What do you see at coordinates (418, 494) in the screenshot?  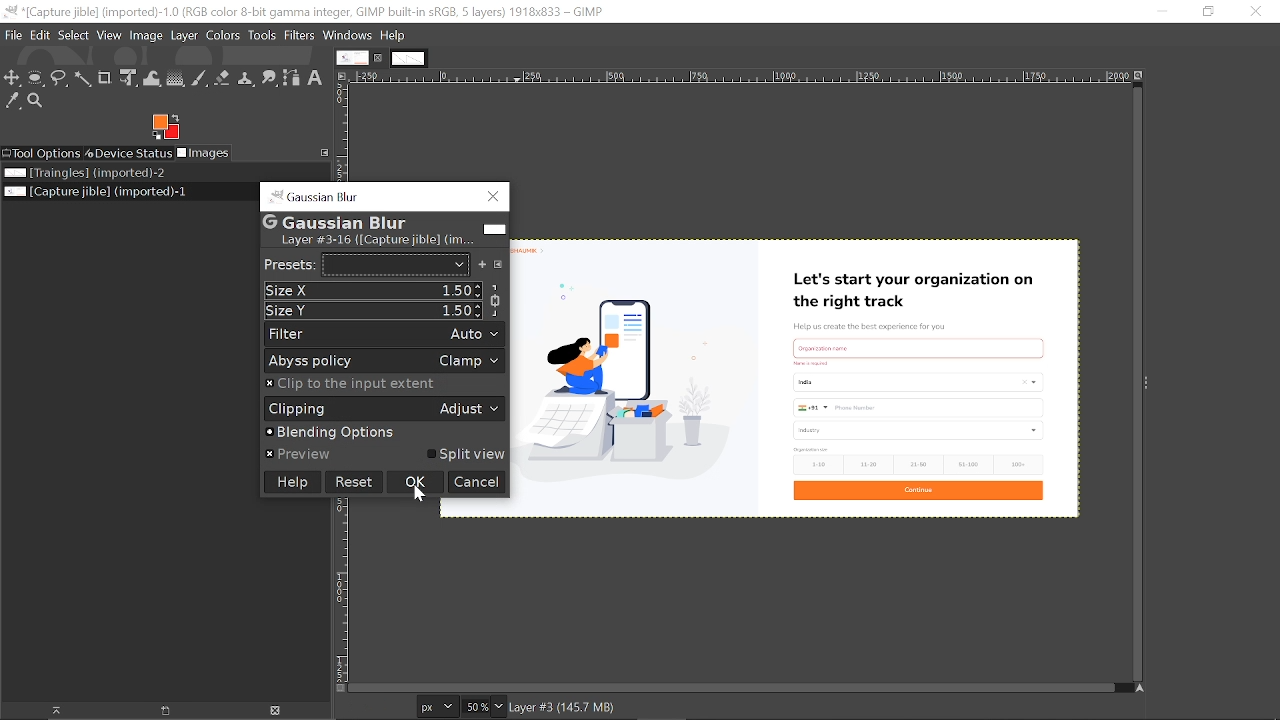 I see `Cursor` at bounding box center [418, 494].